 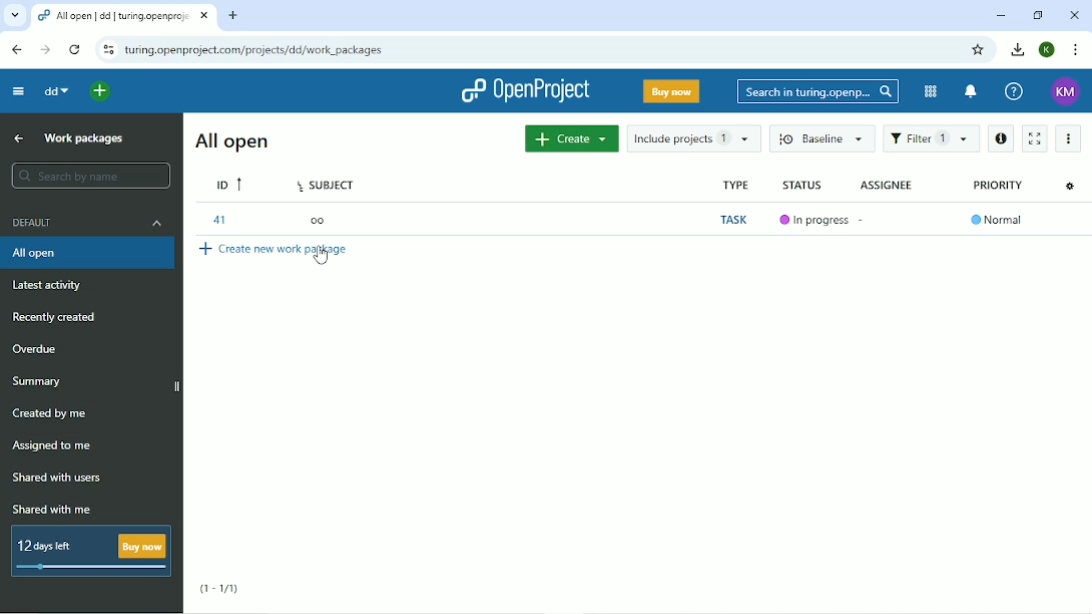 What do you see at coordinates (76, 49) in the screenshot?
I see `Reload this page` at bounding box center [76, 49].